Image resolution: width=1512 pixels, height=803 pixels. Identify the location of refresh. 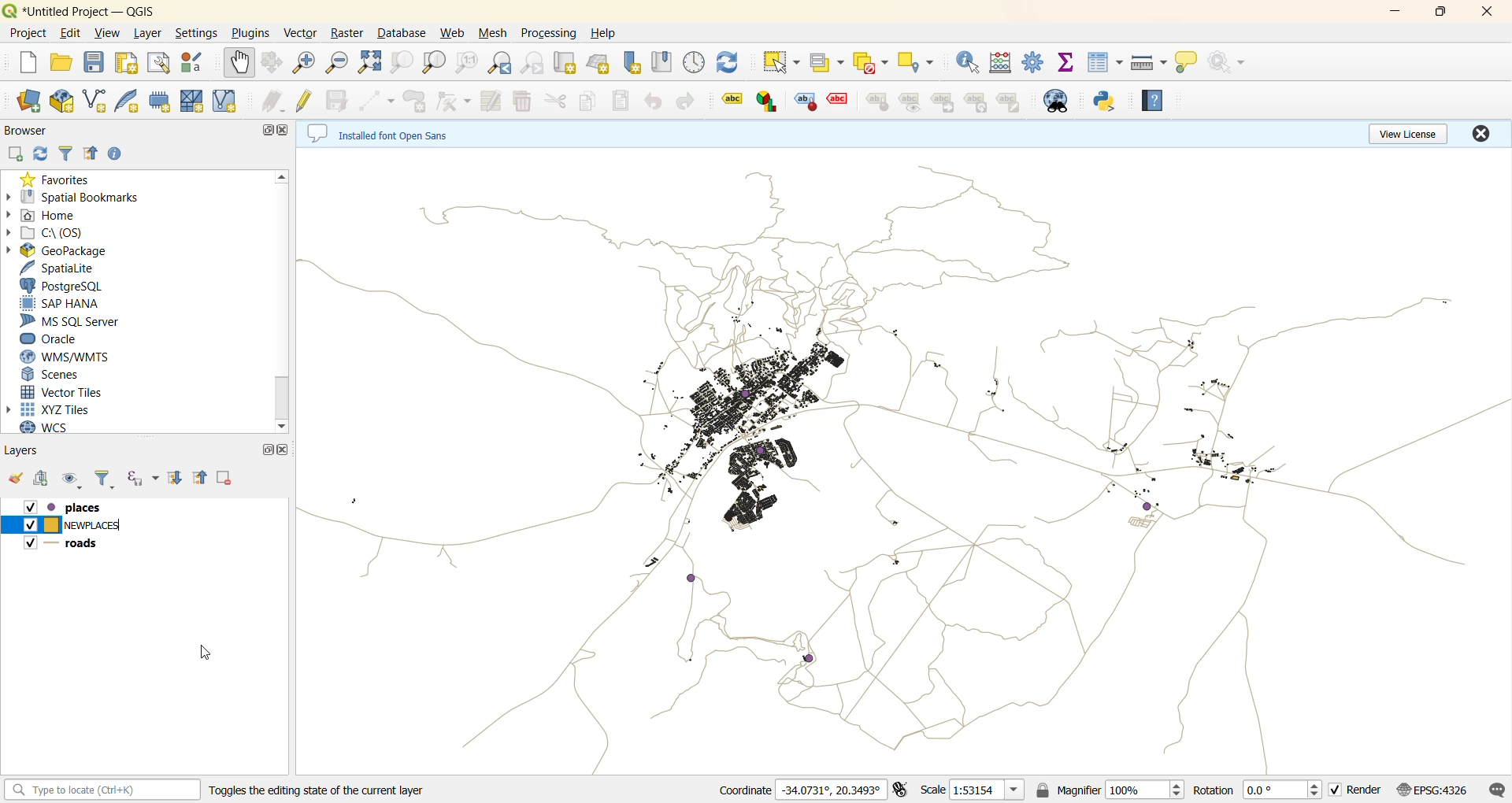
(43, 154).